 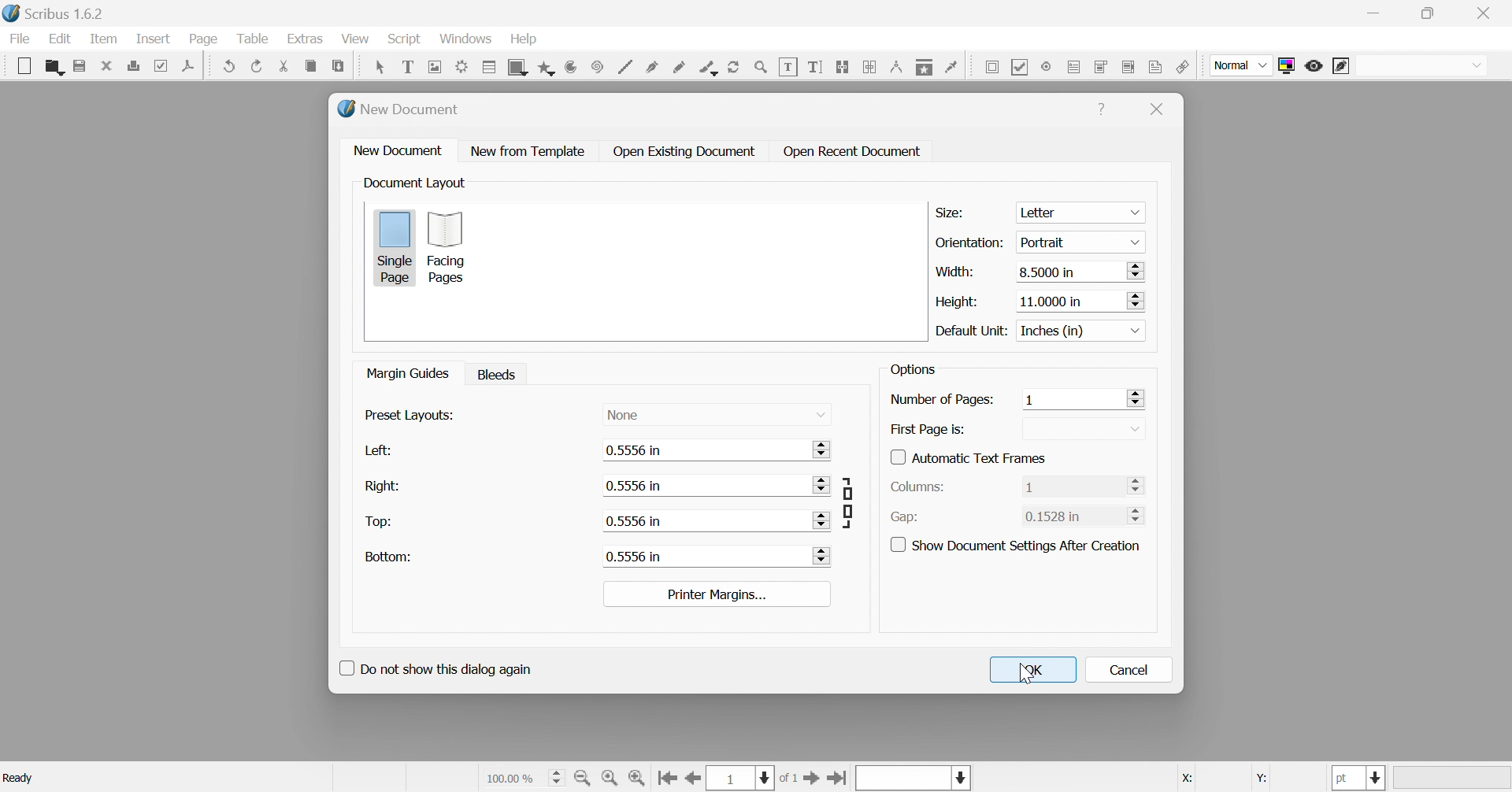 What do you see at coordinates (1081, 272) in the screenshot?
I see `8.5000 in` at bounding box center [1081, 272].